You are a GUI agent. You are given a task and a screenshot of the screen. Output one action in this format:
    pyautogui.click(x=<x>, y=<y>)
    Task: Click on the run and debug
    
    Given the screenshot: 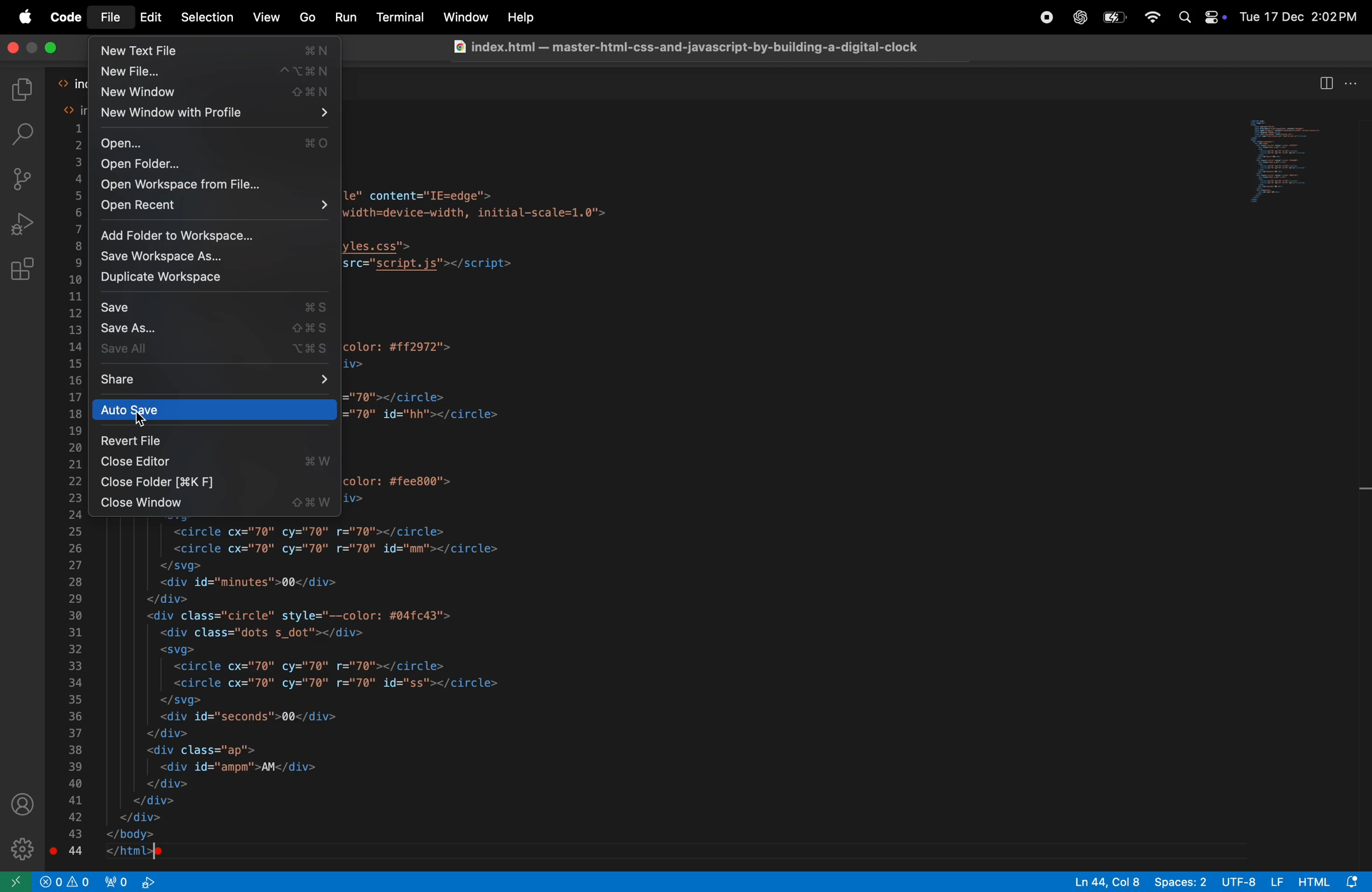 What is the action you would take?
    pyautogui.click(x=22, y=224)
    